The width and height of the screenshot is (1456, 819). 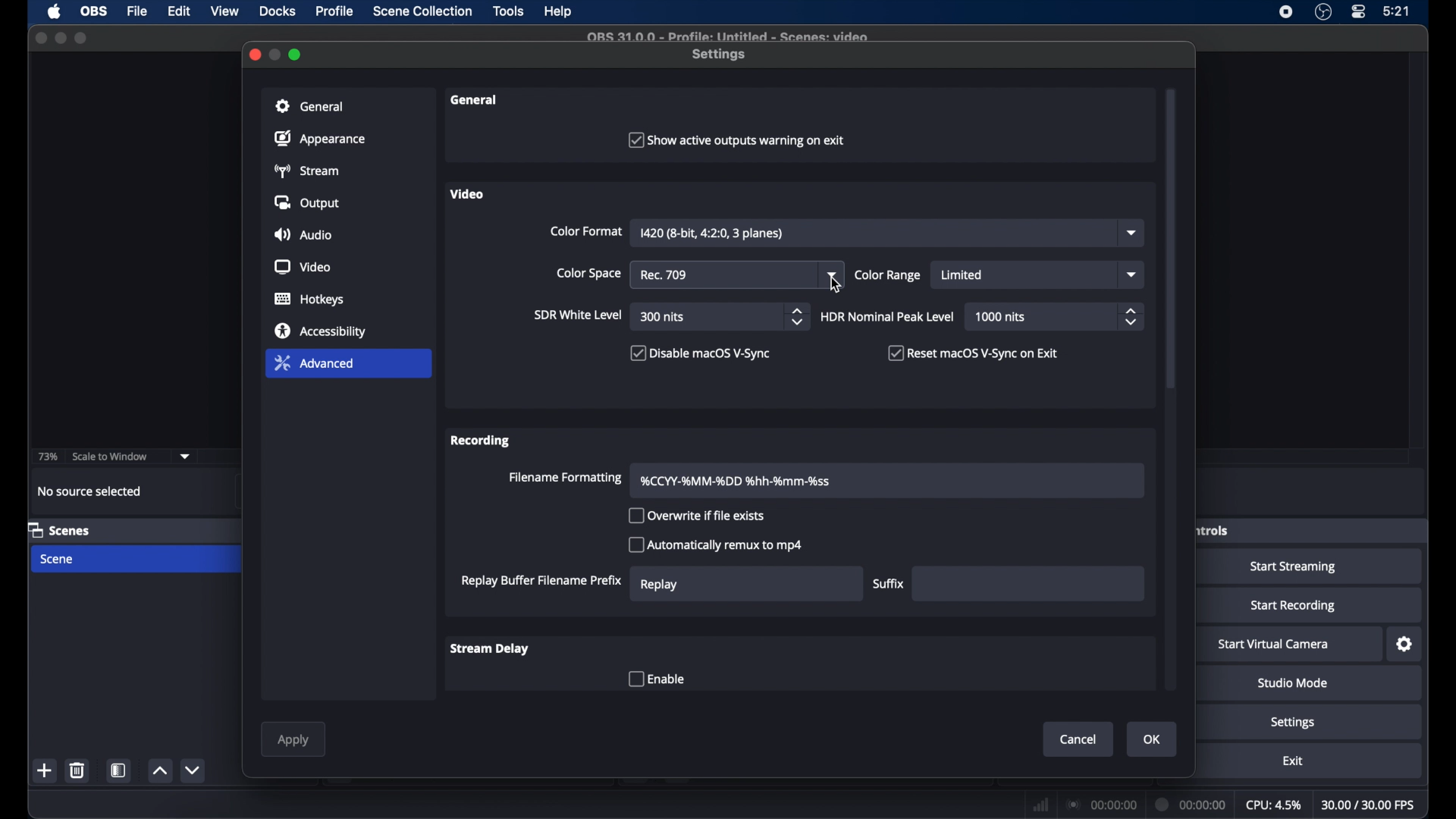 I want to click on file, so click(x=138, y=11).